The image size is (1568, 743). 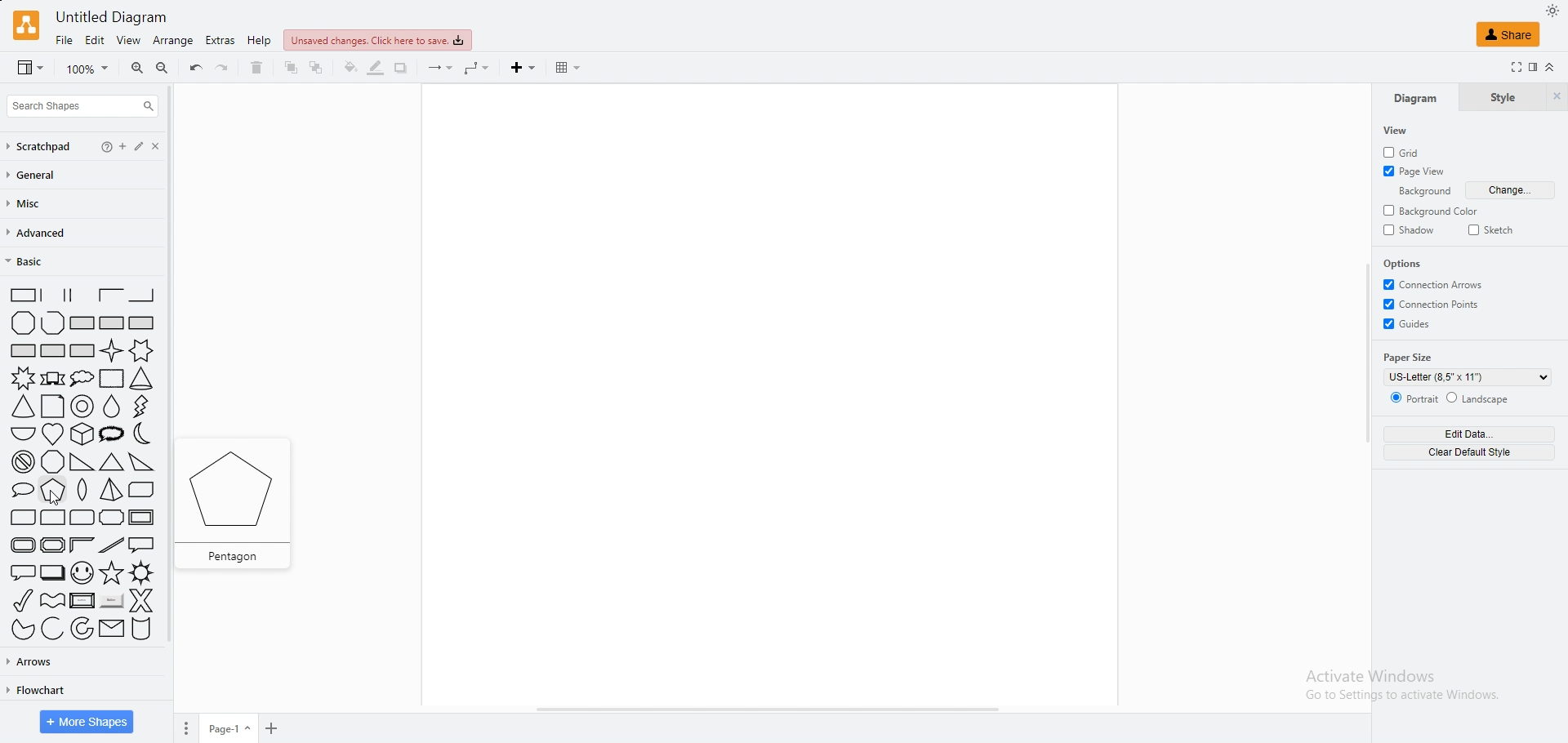 What do you see at coordinates (108, 146) in the screenshot?
I see `help` at bounding box center [108, 146].